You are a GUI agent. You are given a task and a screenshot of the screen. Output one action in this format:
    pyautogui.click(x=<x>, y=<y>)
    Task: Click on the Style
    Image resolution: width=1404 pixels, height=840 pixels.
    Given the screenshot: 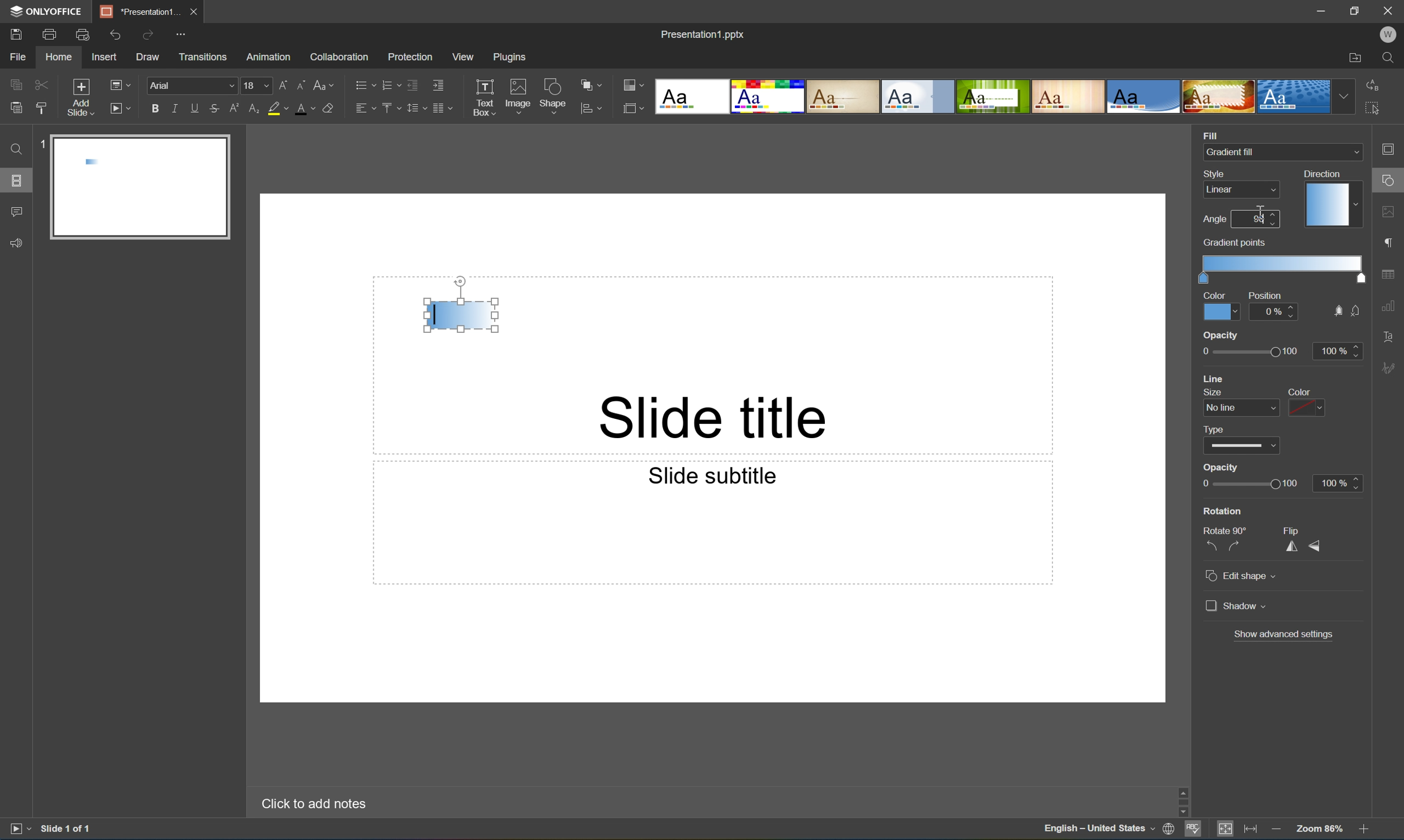 What is the action you would take?
    pyautogui.click(x=1216, y=173)
    